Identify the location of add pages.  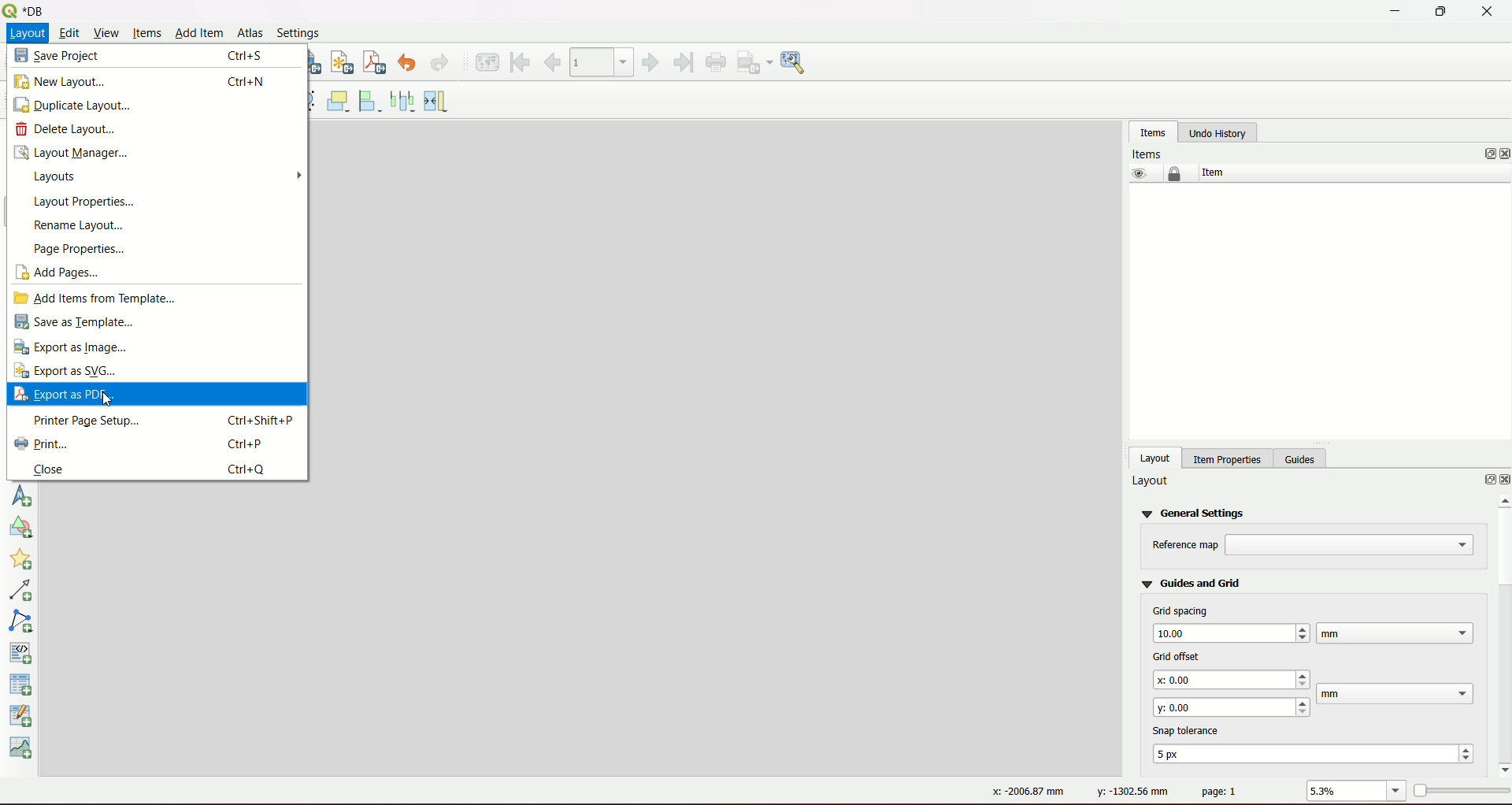
(60, 273).